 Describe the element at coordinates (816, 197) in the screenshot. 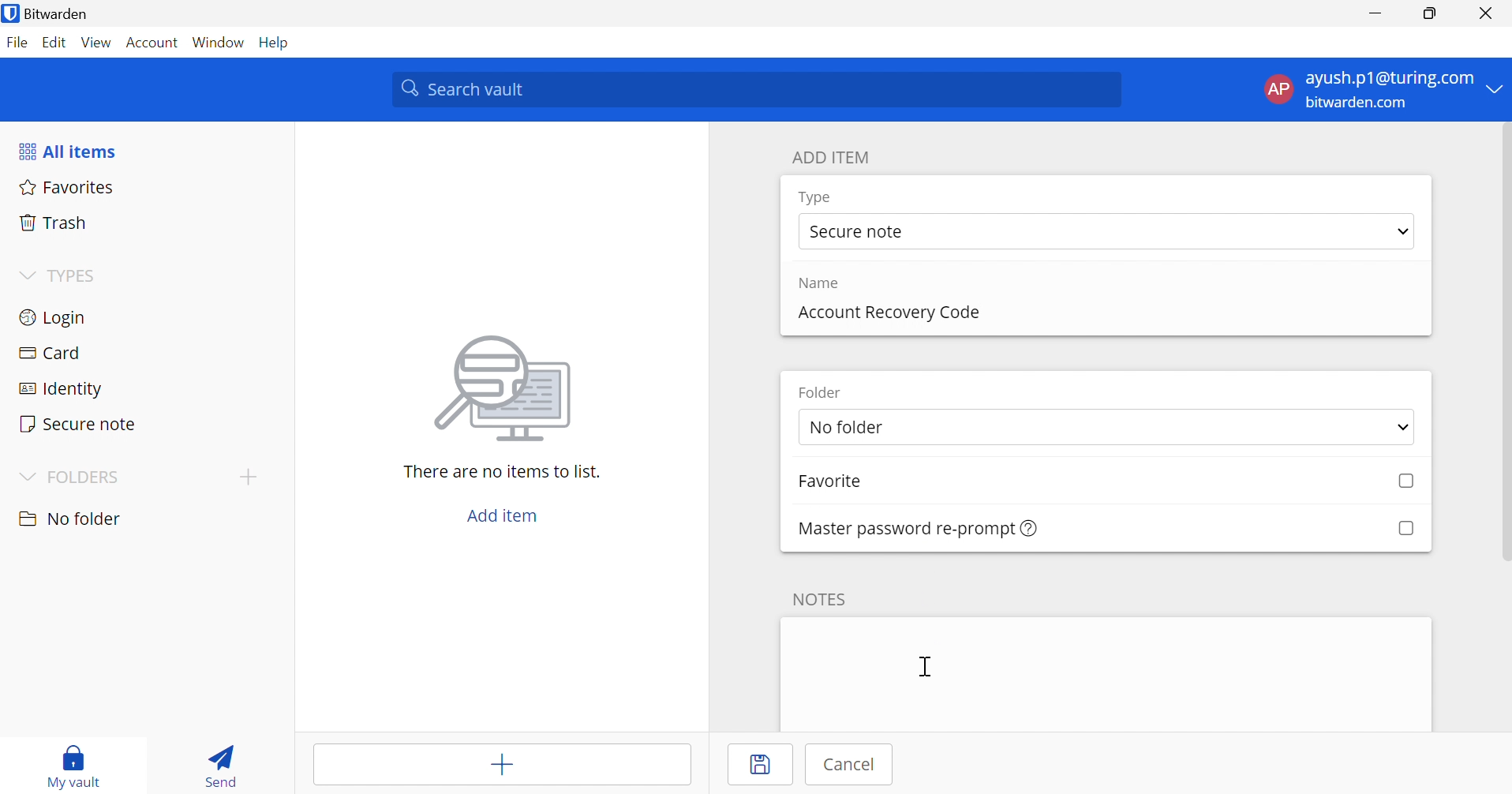

I see `Type` at that location.